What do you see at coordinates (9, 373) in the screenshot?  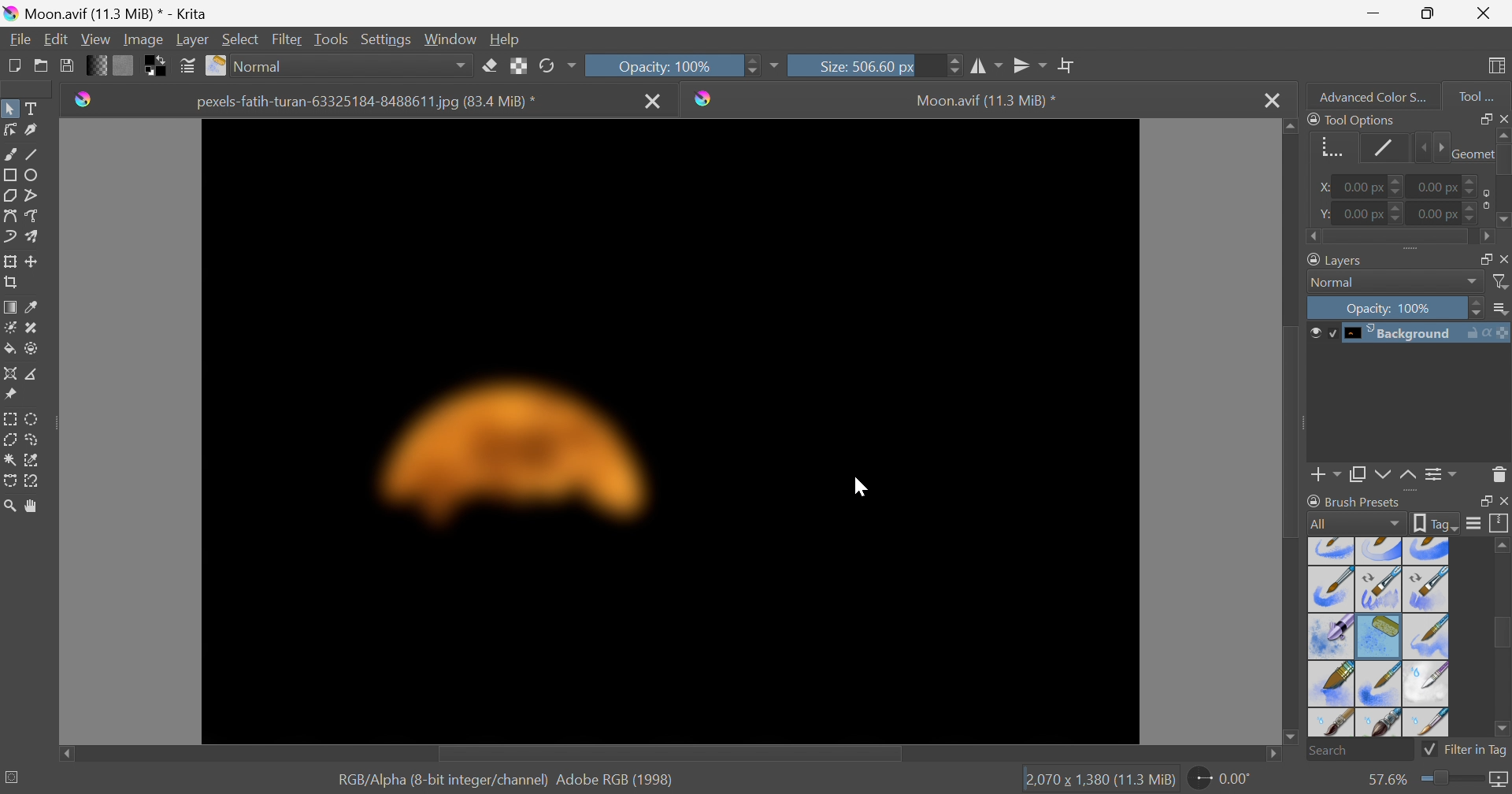 I see `Assistant tool` at bounding box center [9, 373].